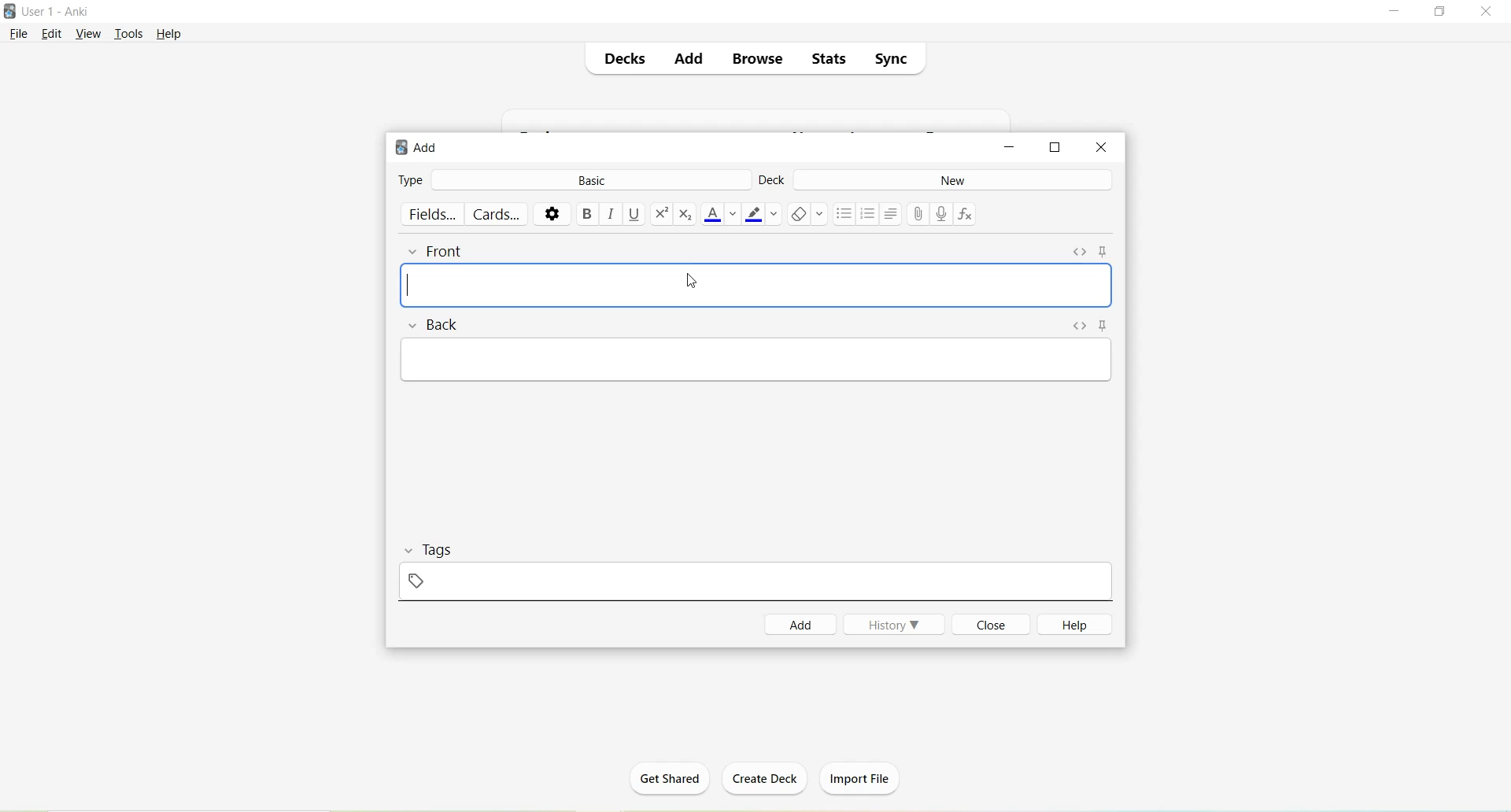 The image size is (1511, 812). What do you see at coordinates (416, 253) in the screenshot?
I see `Collapse field` at bounding box center [416, 253].